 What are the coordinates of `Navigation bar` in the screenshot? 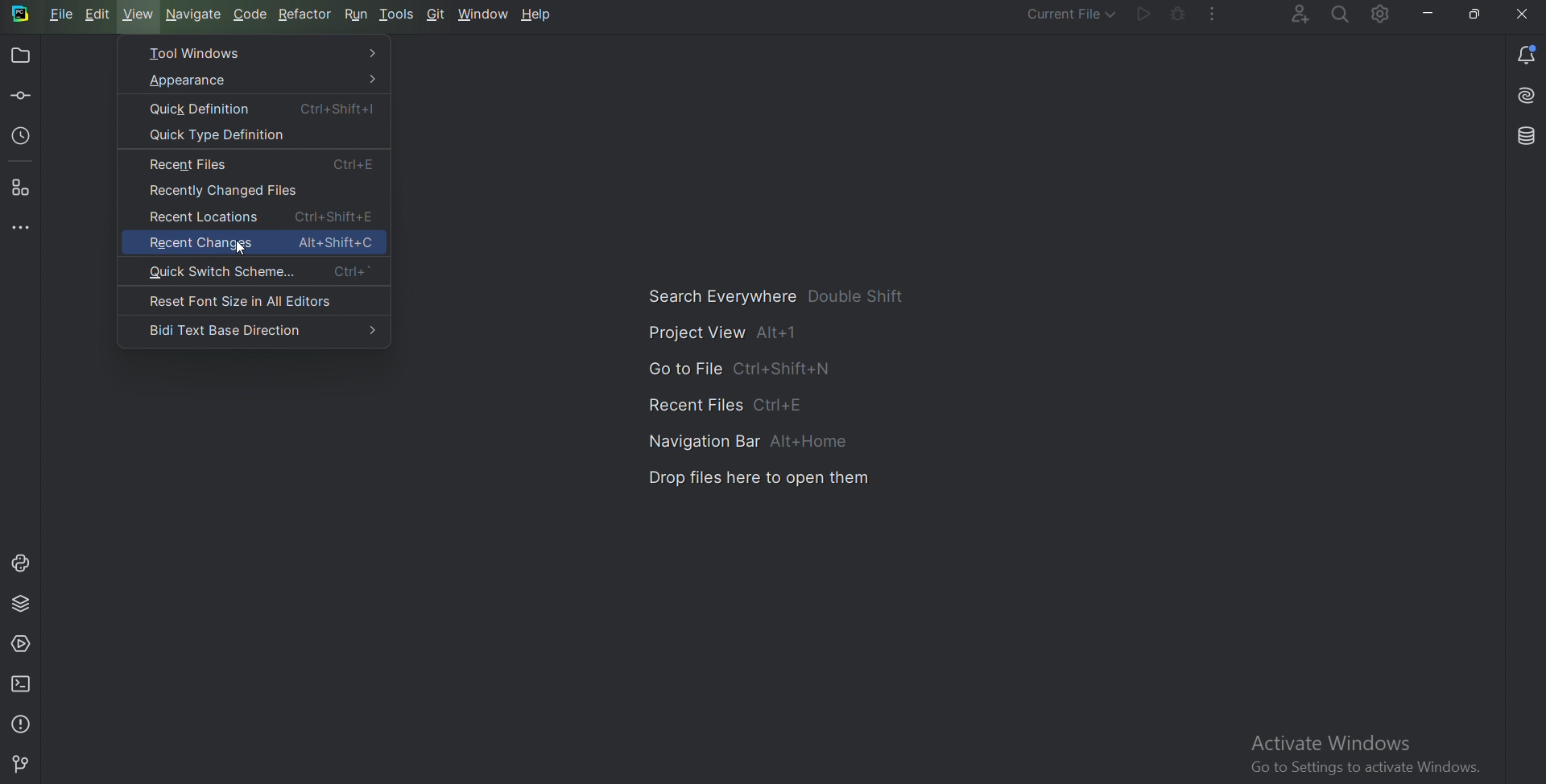 It's located at (742, 438).